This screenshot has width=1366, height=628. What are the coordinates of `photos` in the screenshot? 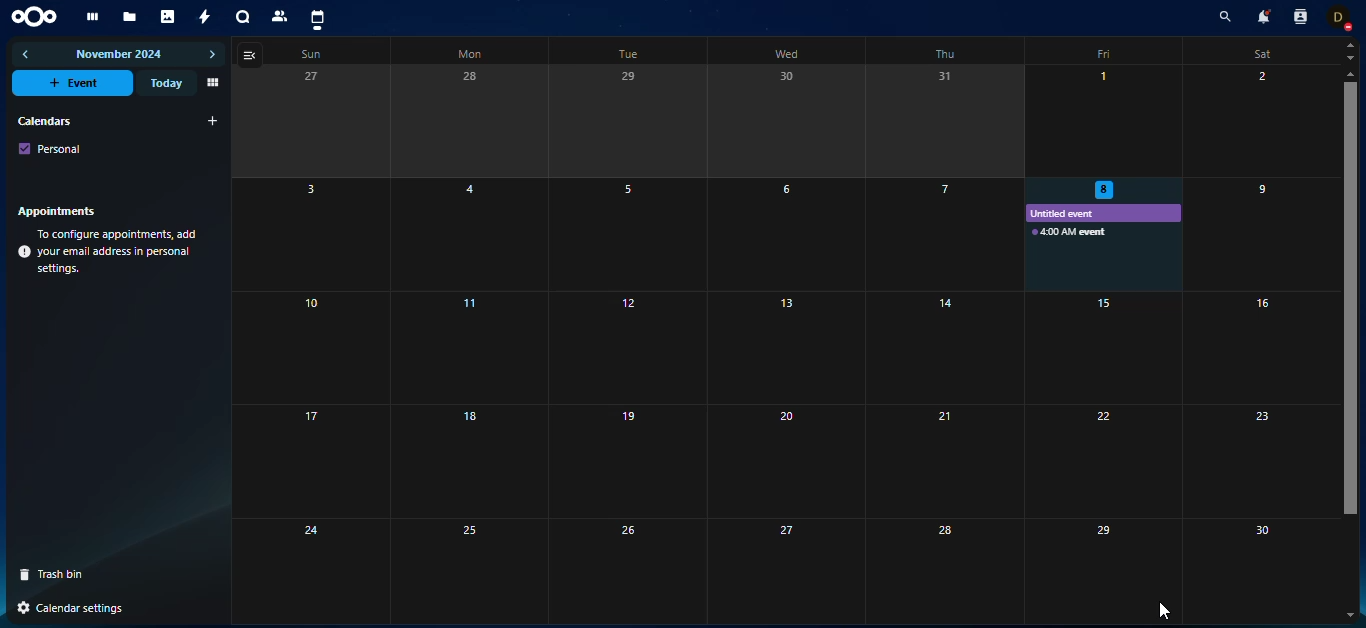 It's located at (169, 17).